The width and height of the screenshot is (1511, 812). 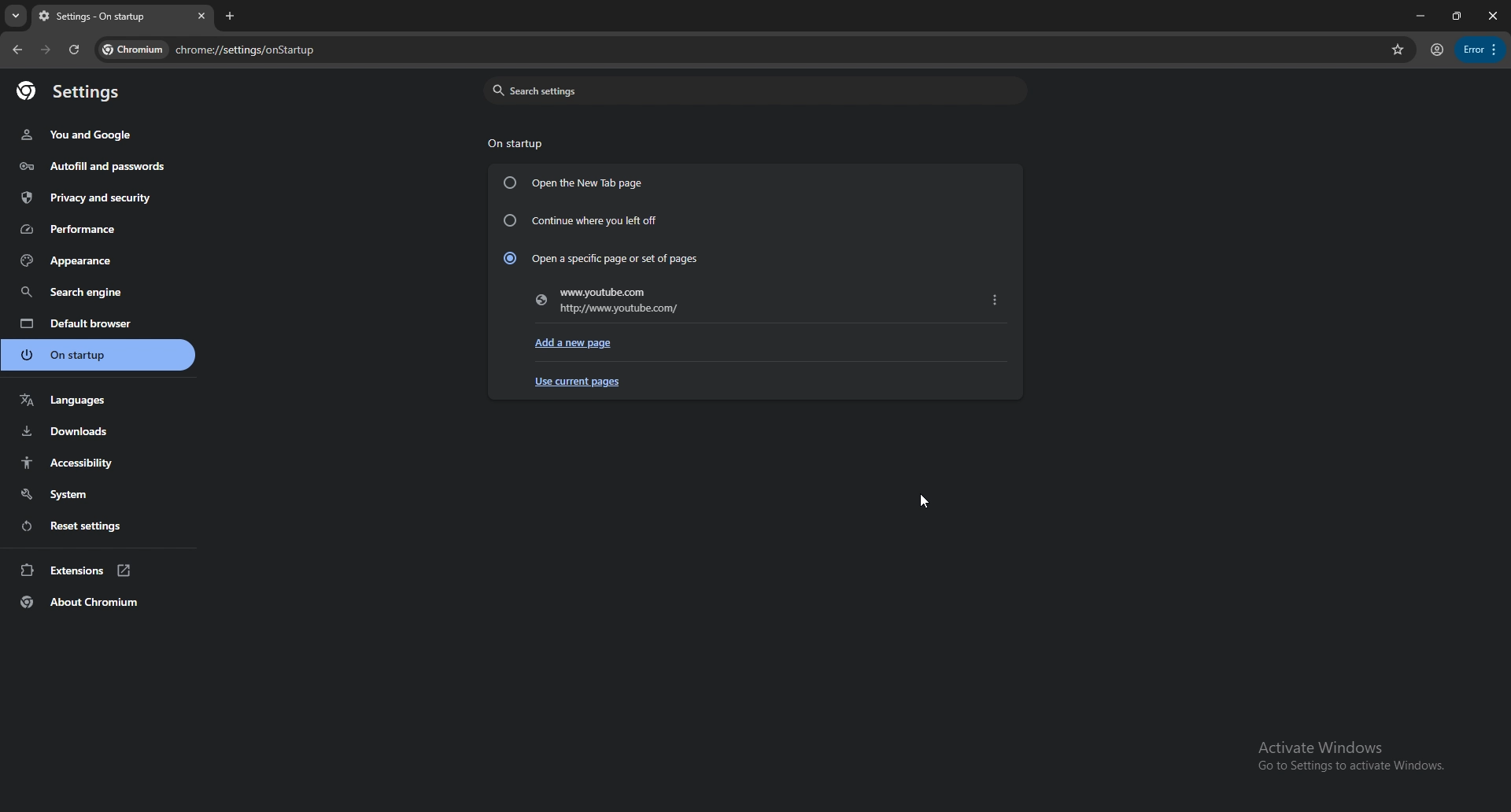 I want to click on search settings, so click(x=753, y=90).